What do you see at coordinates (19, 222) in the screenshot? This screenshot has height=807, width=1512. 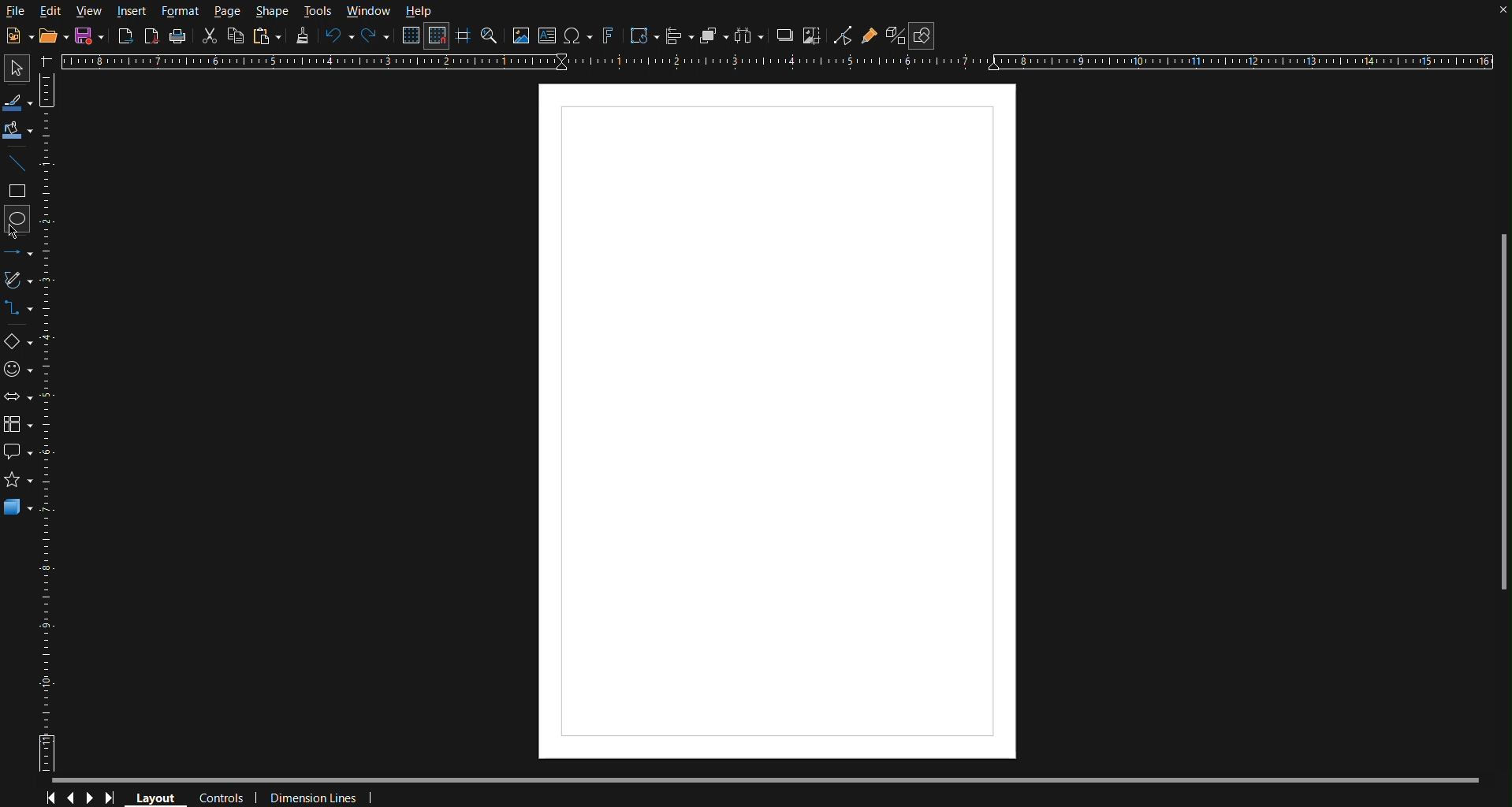 I see `Circle` at bounding box center [19, 222].